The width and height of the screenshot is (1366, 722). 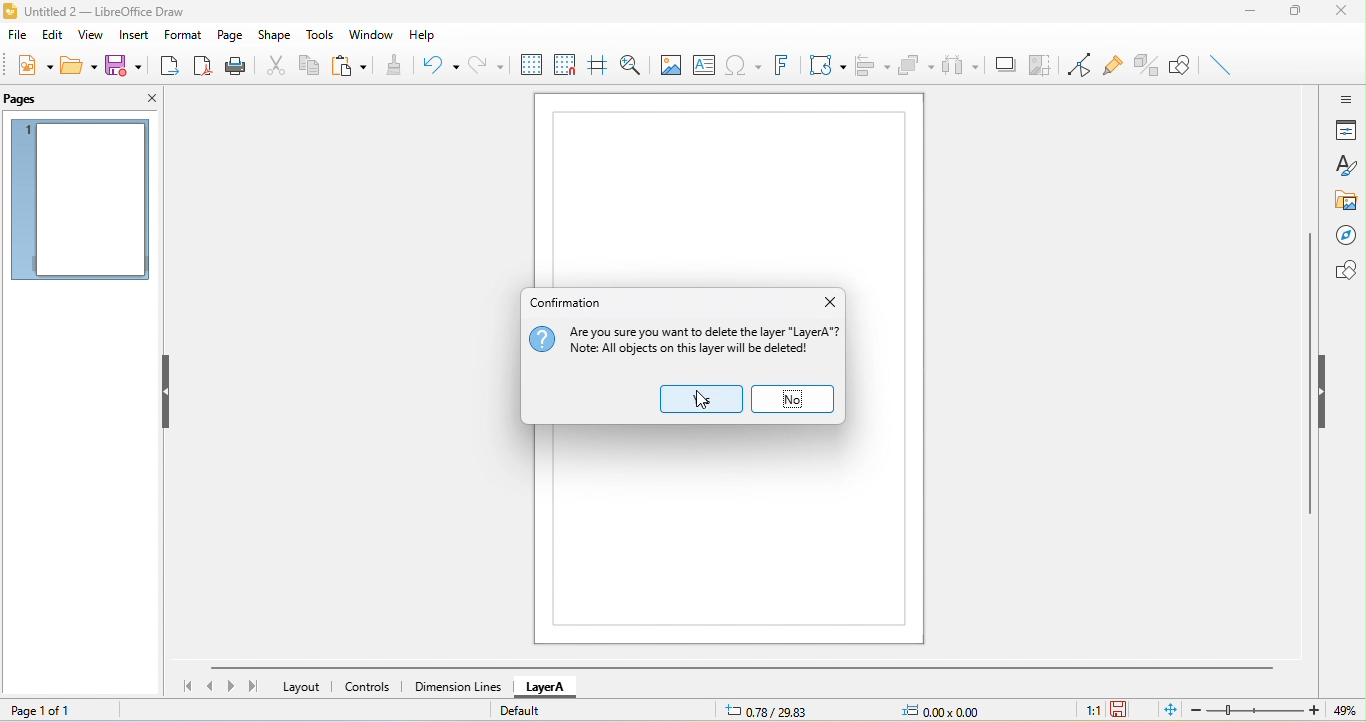 What do you see at coordinates (61, 711) in the screenshot?
I see `page 1 of 1` at bounding box center [61, 711].